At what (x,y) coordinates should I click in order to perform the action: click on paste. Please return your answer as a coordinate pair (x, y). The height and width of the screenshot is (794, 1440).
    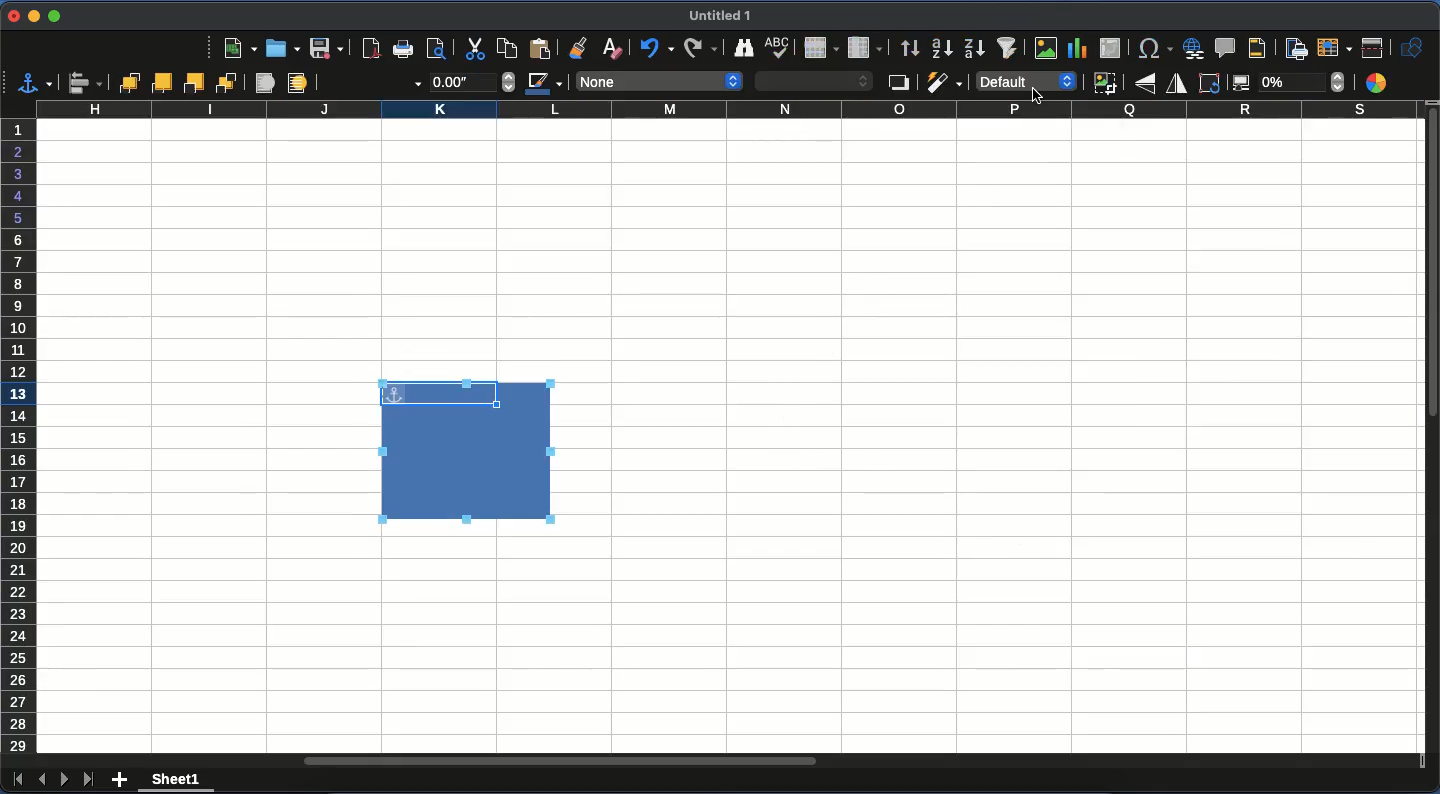
    Looking at the image, I should click on (505, 47).